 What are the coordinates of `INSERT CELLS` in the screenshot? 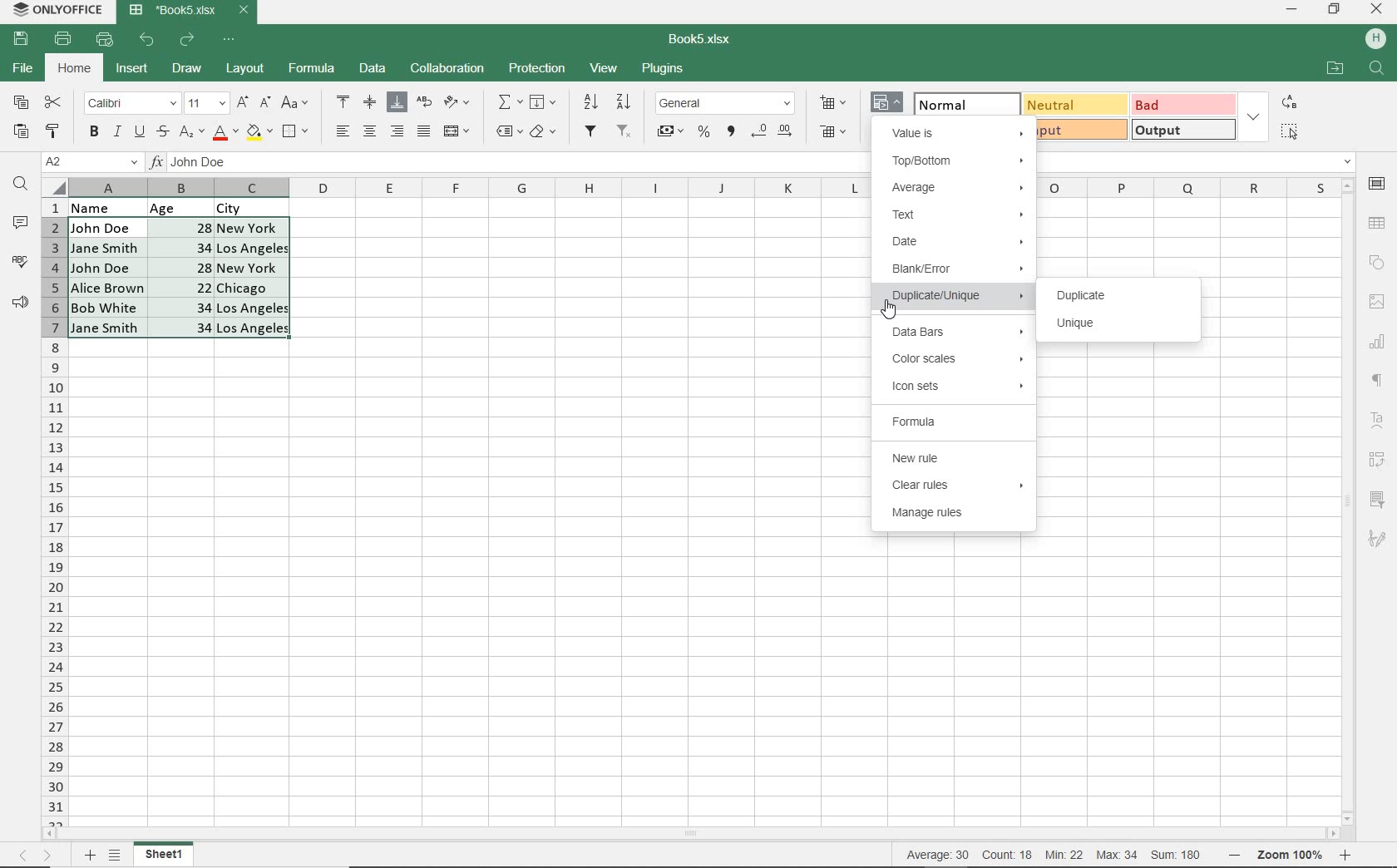 It's located at (837, 101).